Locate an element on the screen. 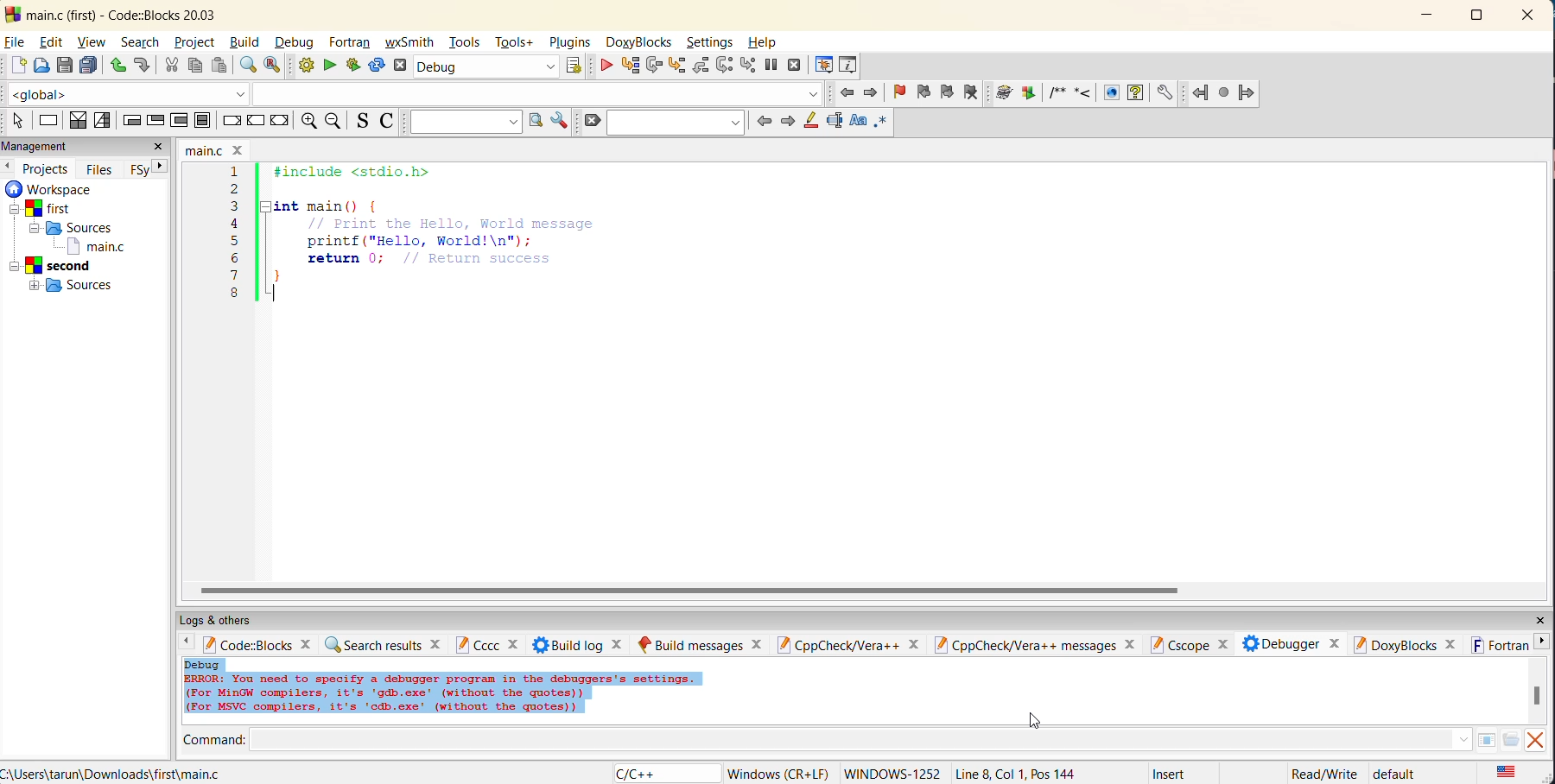  build log is located at coordinates (581, 643).